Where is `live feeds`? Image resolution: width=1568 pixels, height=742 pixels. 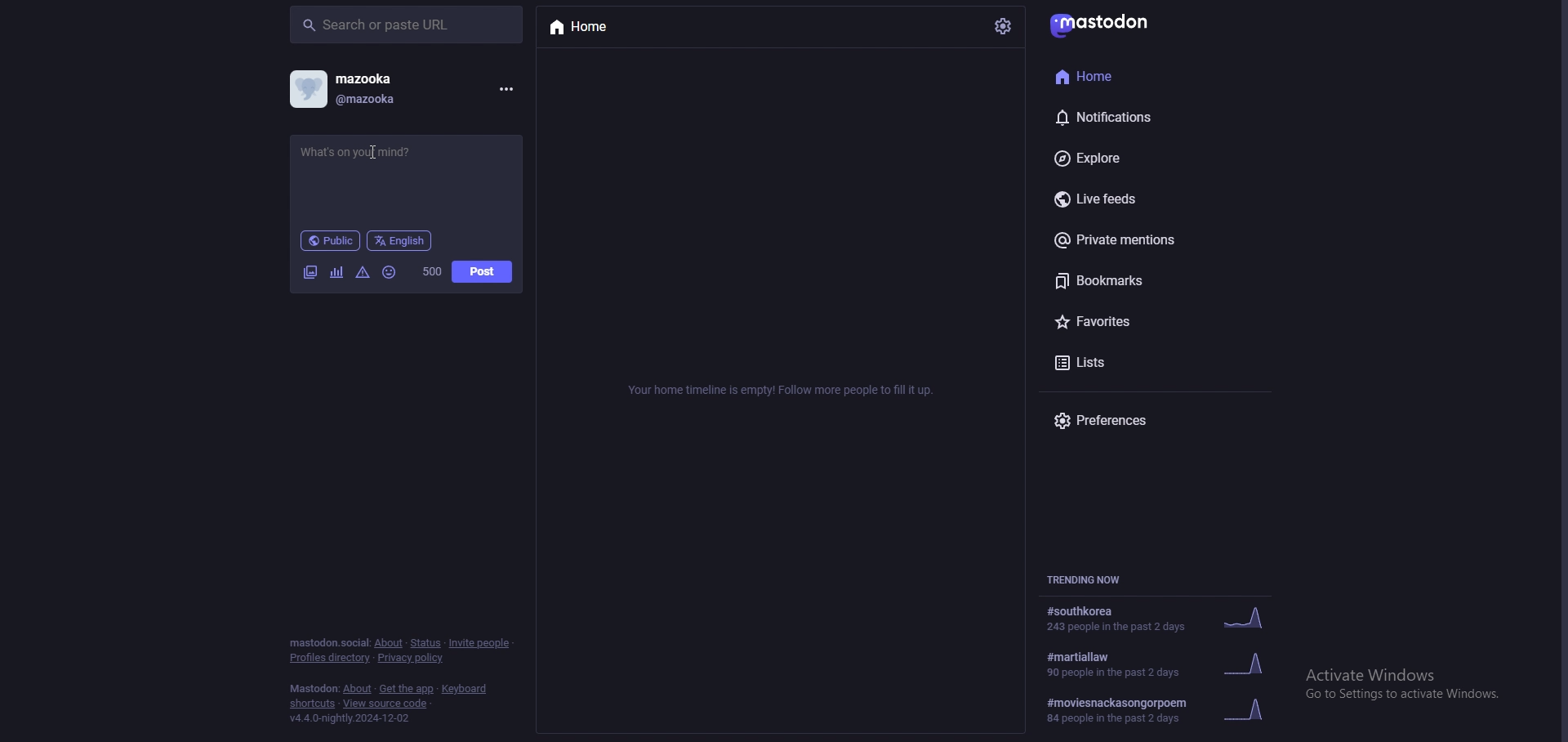 live feeds is located at coordinates (1139, 199).